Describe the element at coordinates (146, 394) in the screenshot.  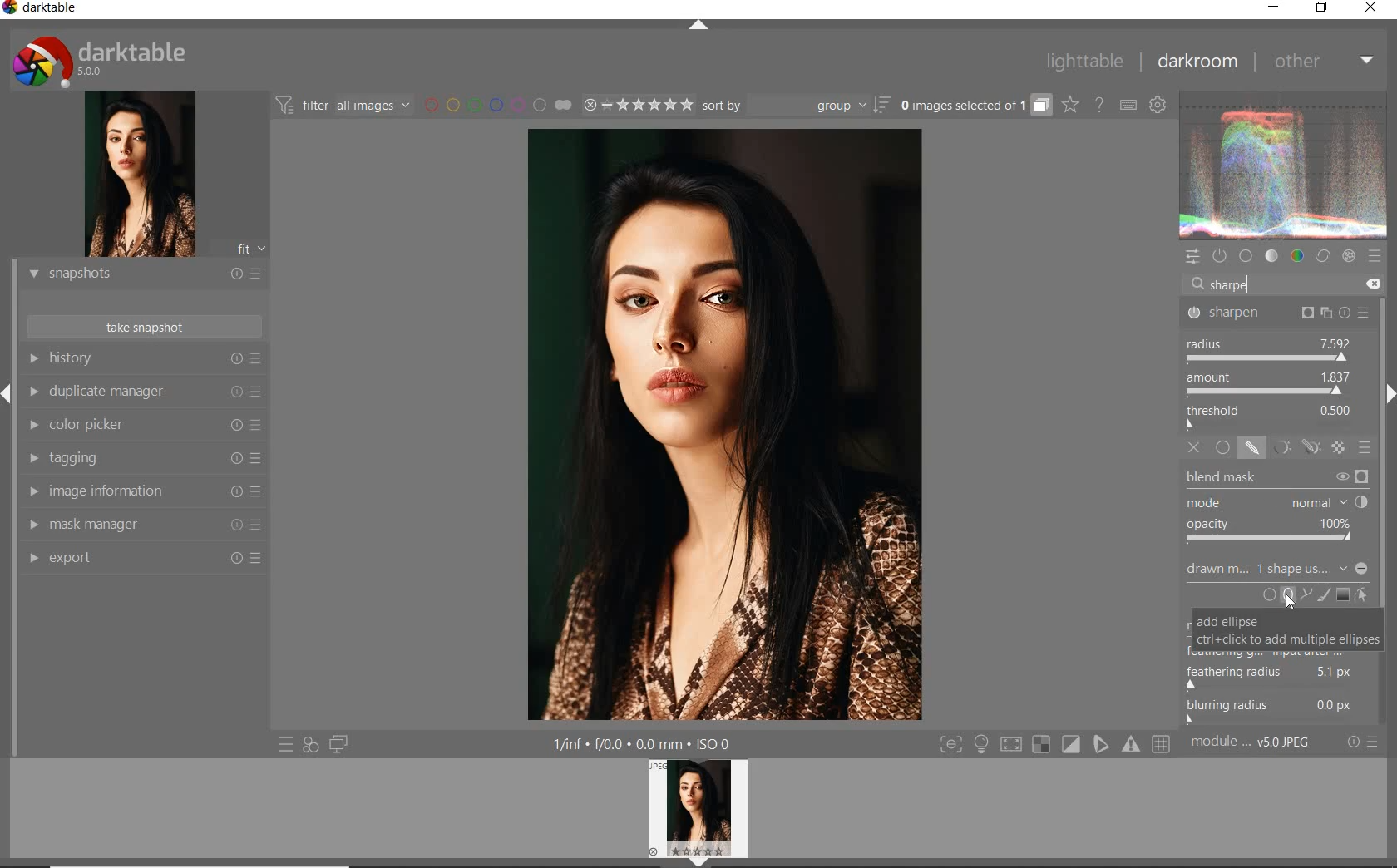
I see `DUPLICATE MANAGER` at that location.